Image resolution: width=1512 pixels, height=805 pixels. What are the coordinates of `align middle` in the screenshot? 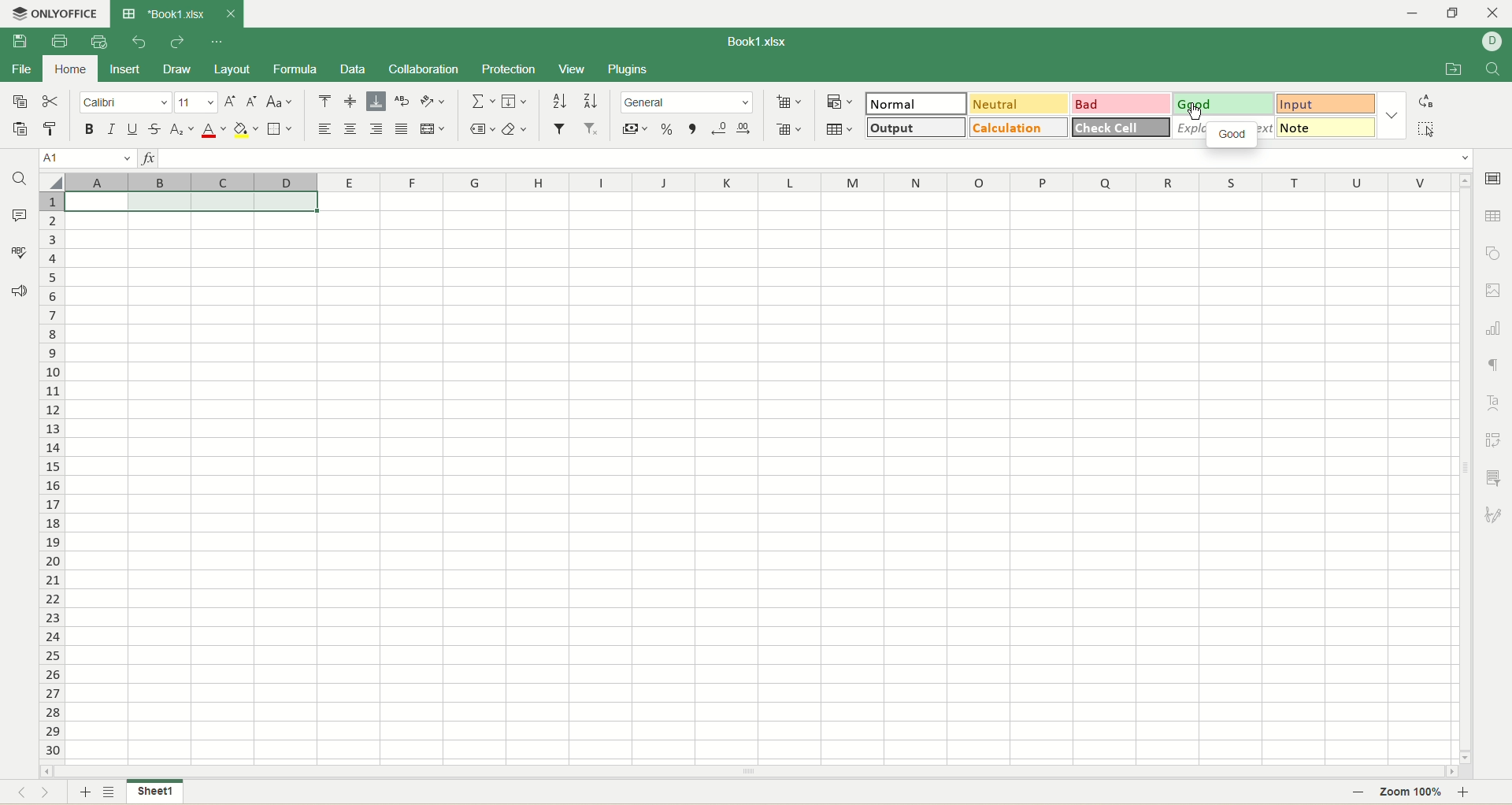 It's located at (353, 102).